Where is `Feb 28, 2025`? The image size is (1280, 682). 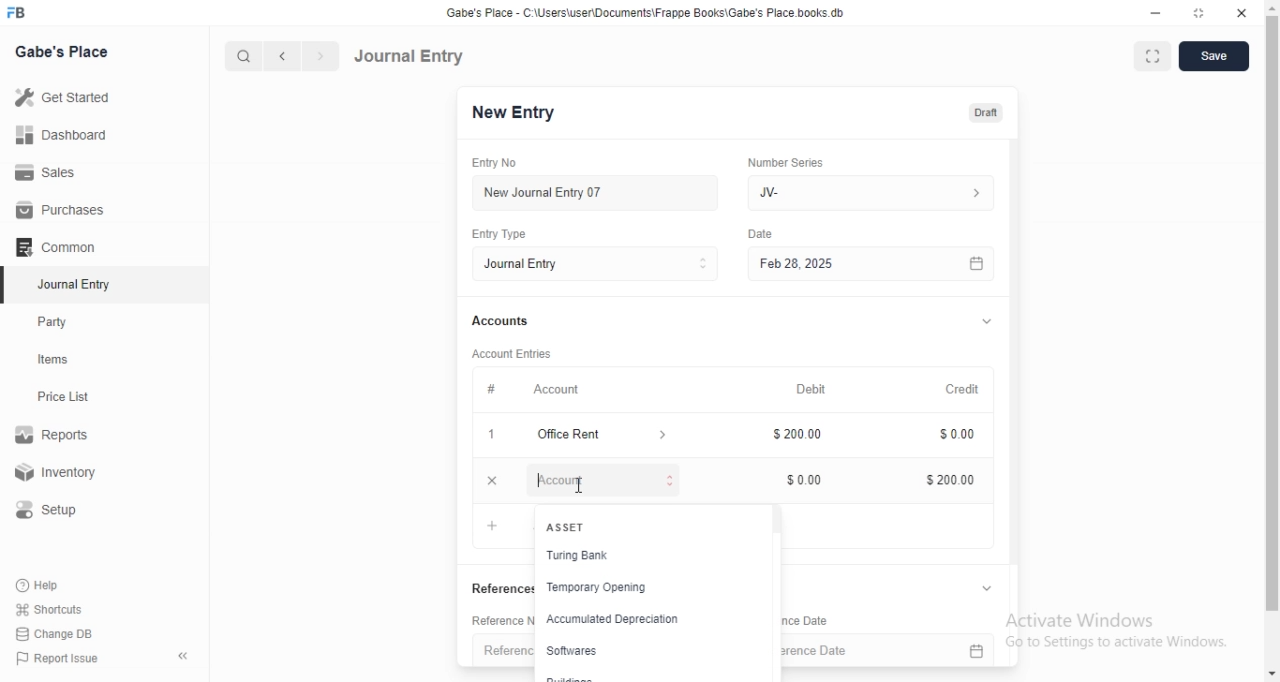
Feb 28, 2025 is located at coordinates (880, 265).